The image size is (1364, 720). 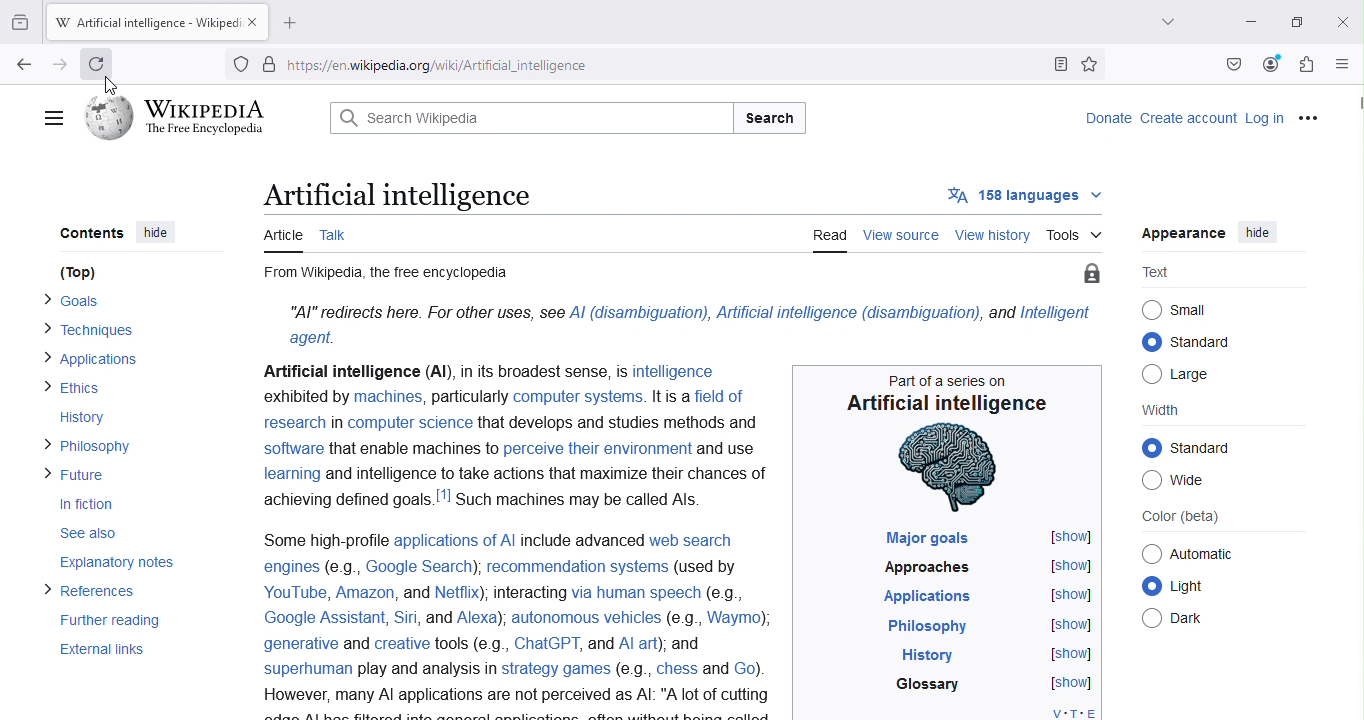 I want to click on V-T-E, so click(x=1078, y=710).